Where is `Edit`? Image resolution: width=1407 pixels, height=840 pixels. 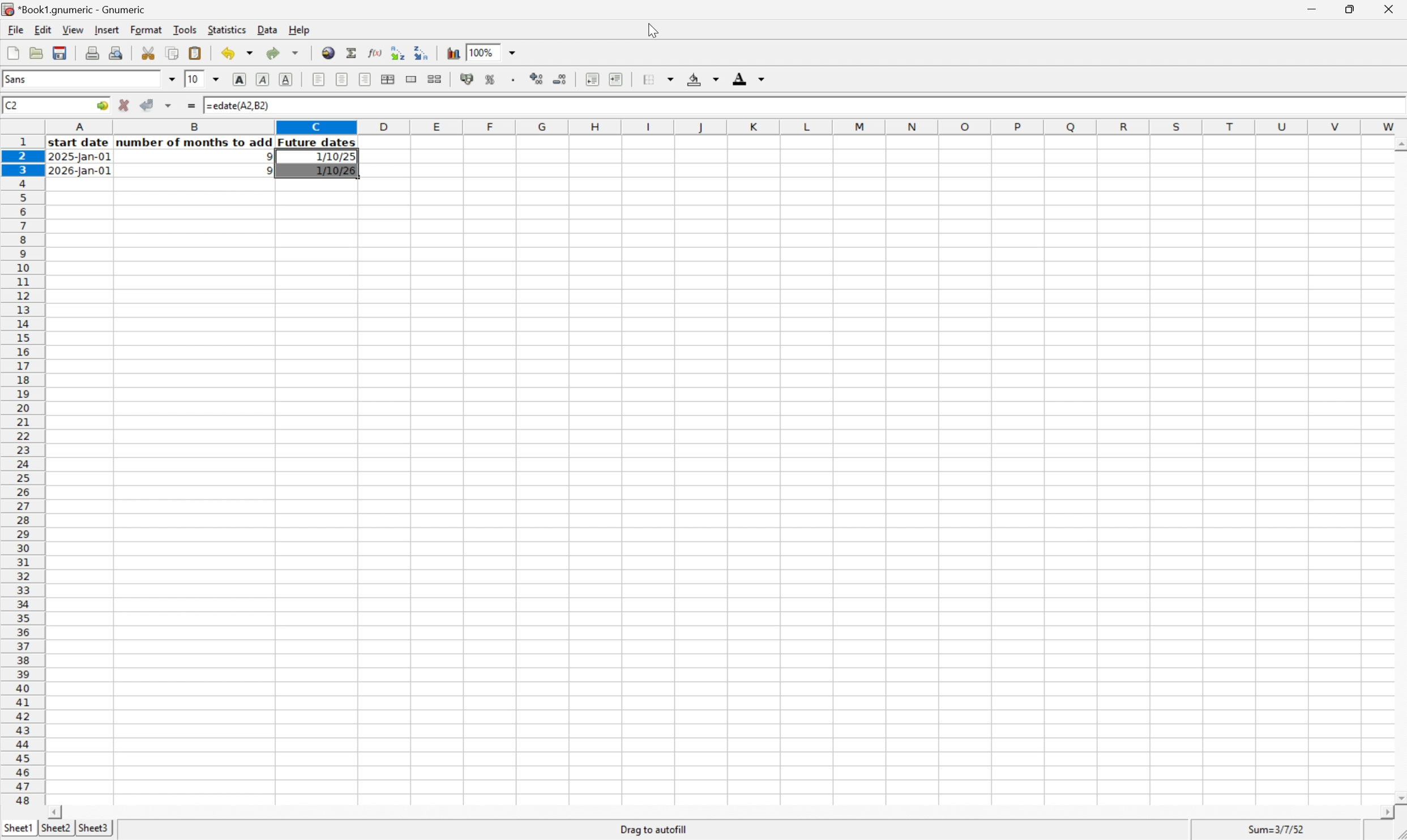 Edit is located at coordinates (43, 29).